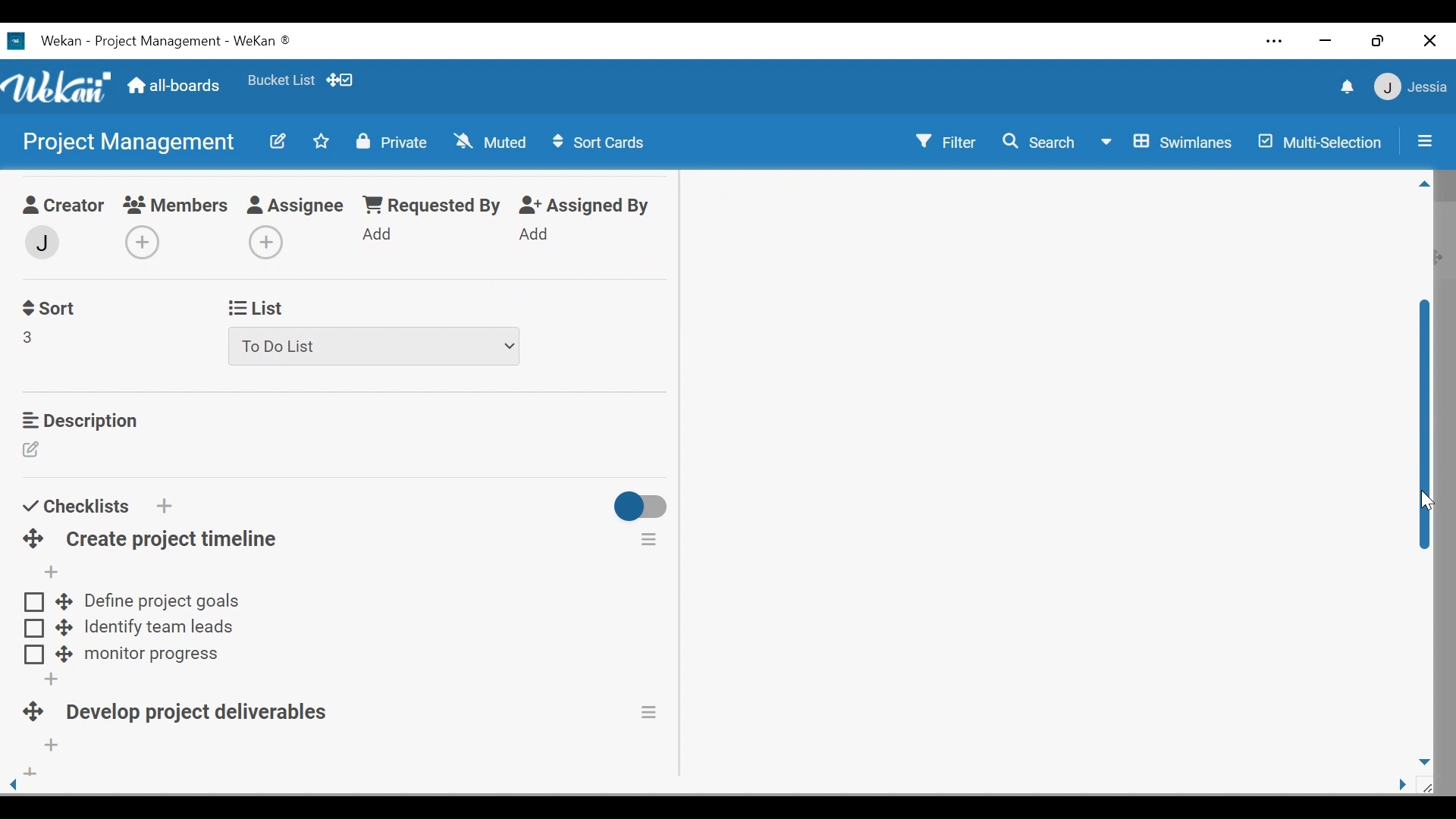 The width and height of the screenshot is (1456, 819). Describe the element at coordinates (340, 80) in the screenshot. I see `Show Desktop drag handles` at that location.